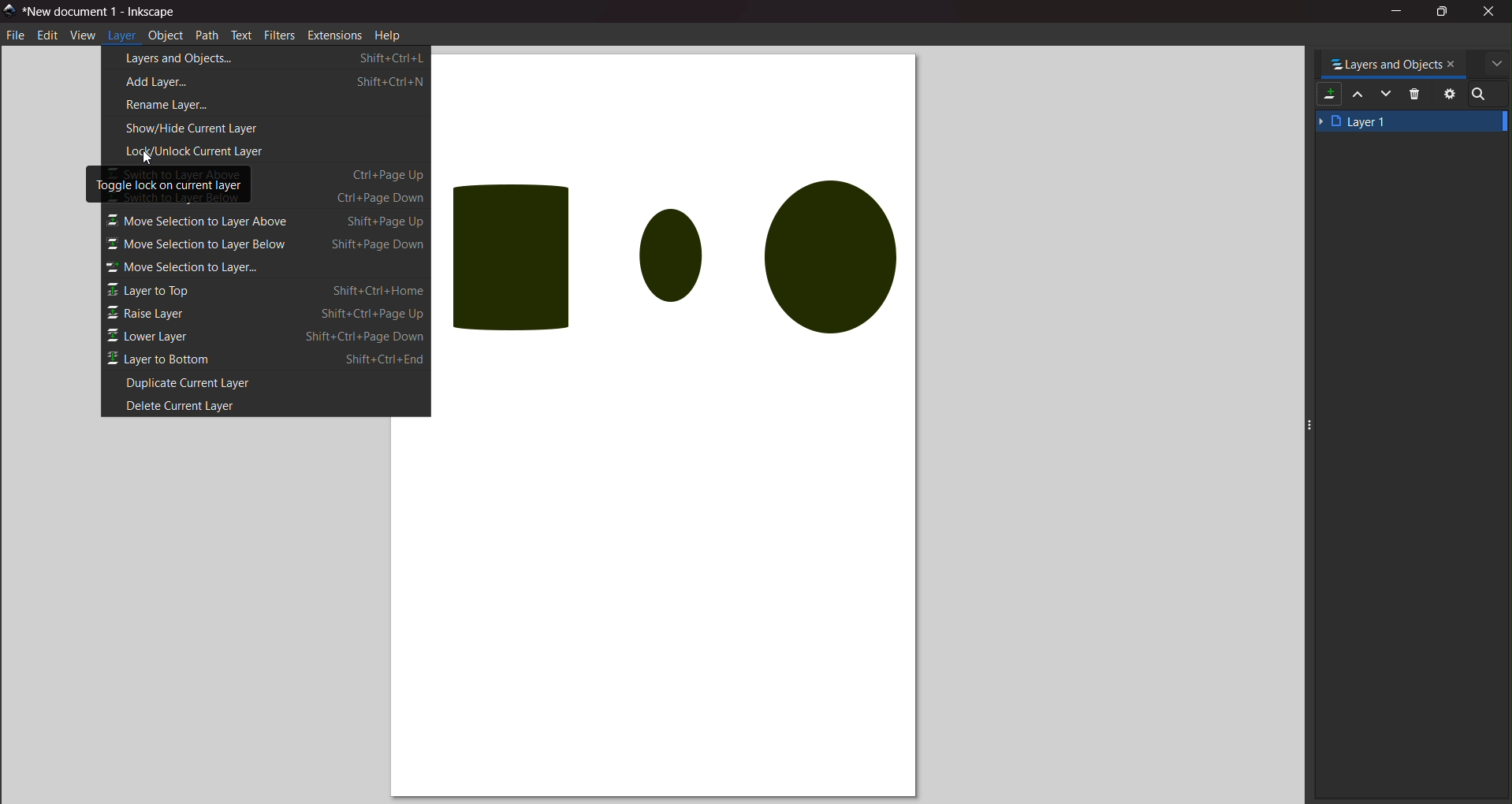 This screenshot has height=804, width=1512. I want to click on layer on top, so click(270, 290).